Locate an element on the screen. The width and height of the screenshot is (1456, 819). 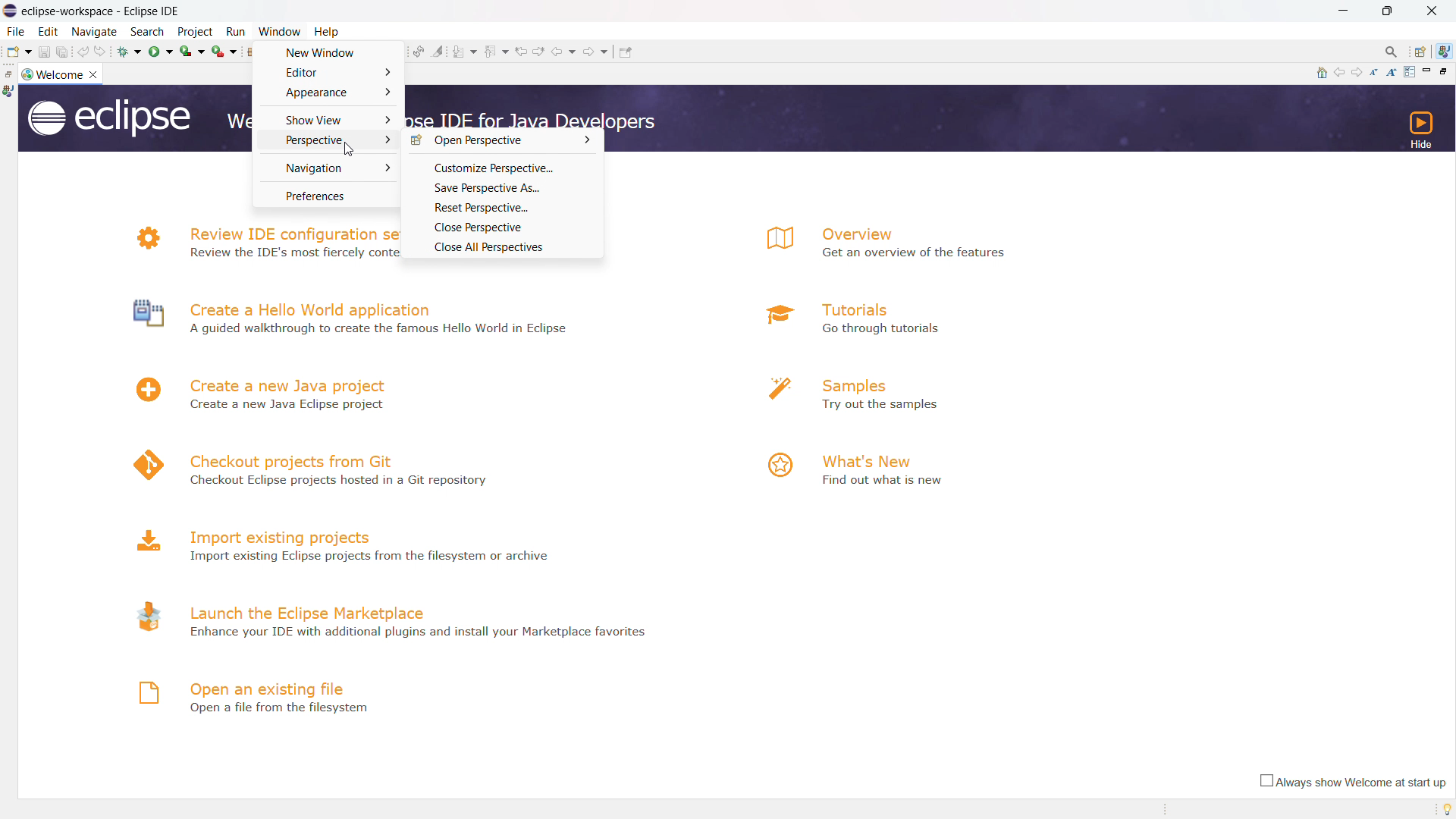
help is located at coordinates (326, 32).